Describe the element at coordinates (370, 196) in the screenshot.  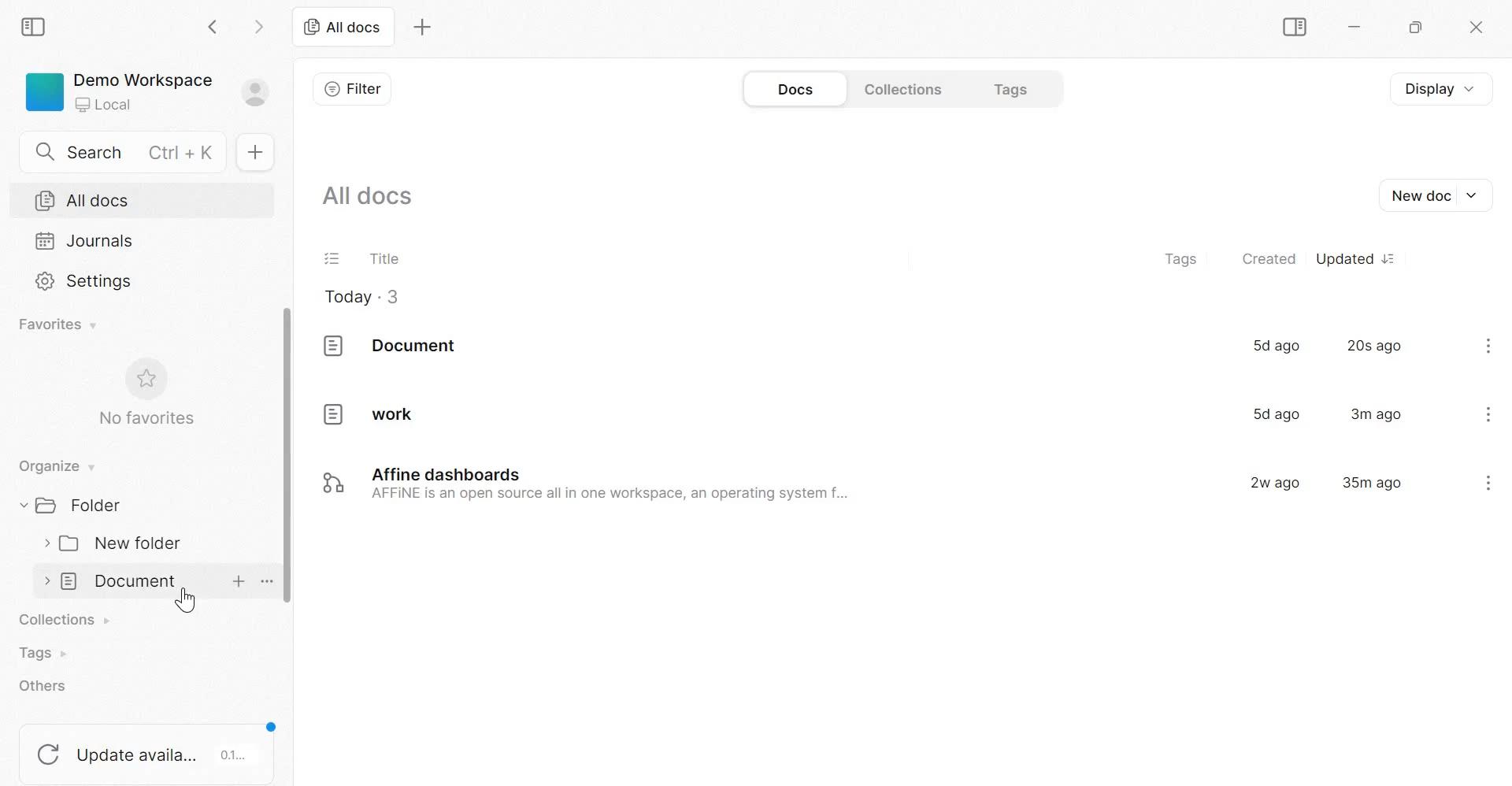
I see `All docs` at that location.